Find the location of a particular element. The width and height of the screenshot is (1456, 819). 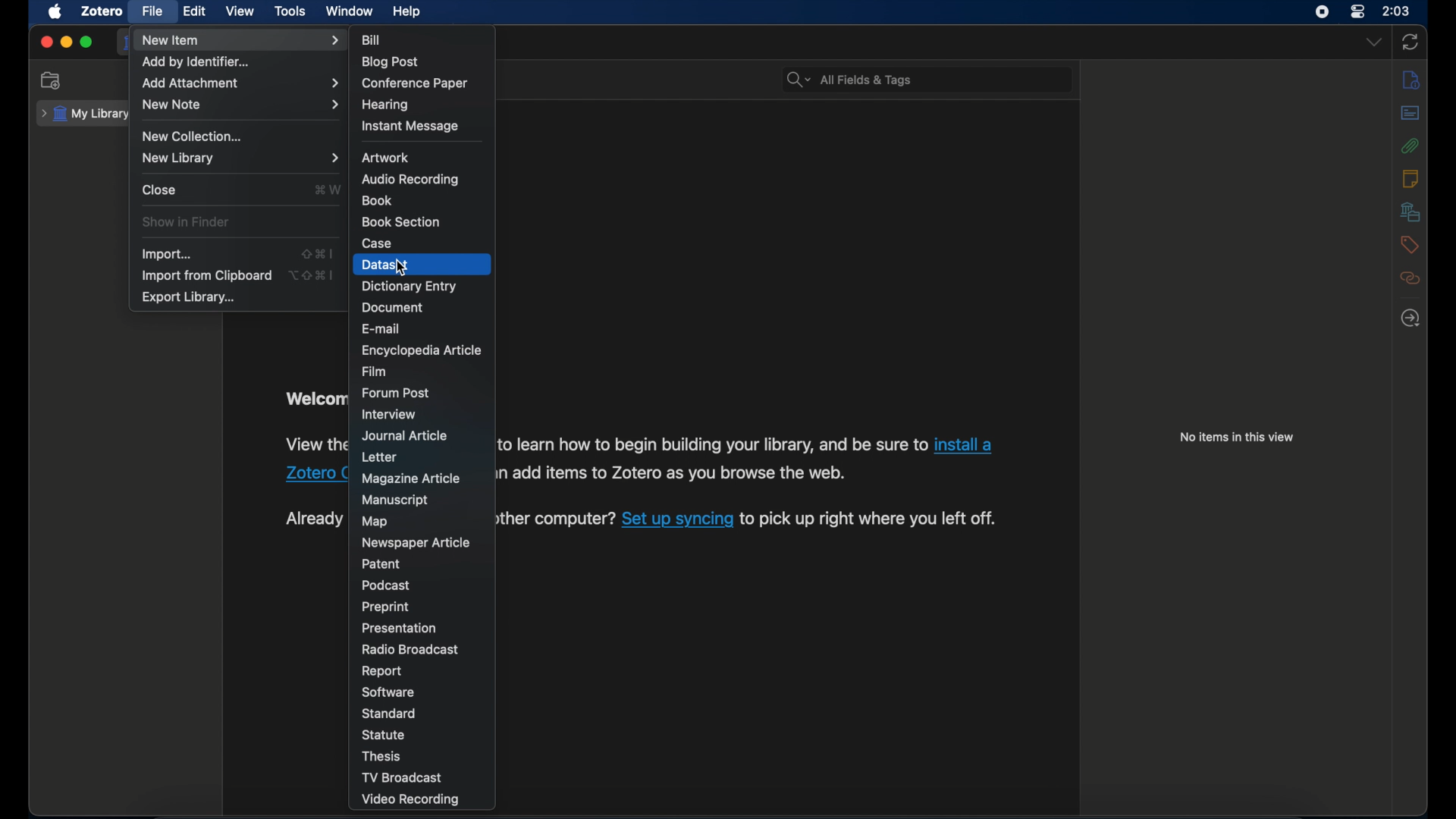

control center is located at coordinates (1357, 12).